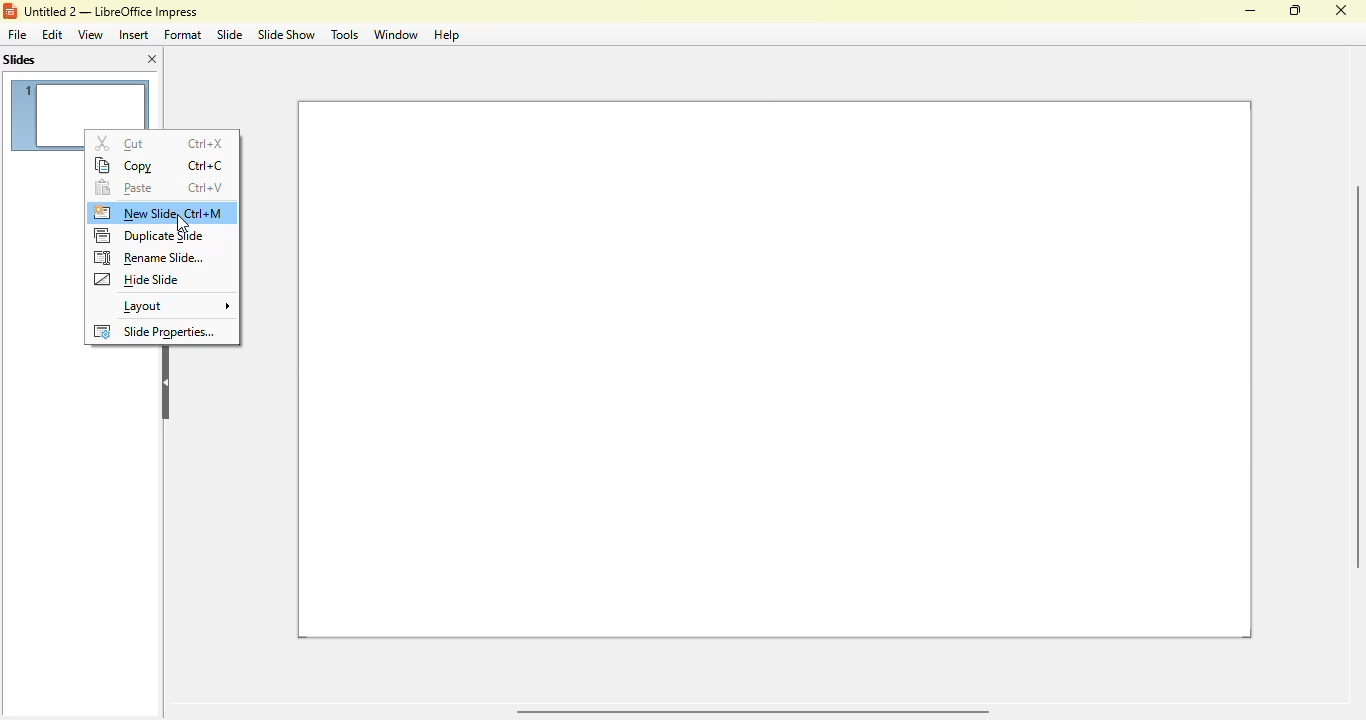 This screenshot has height=720, width=1366. I want to click on paste, so click(126, 188).